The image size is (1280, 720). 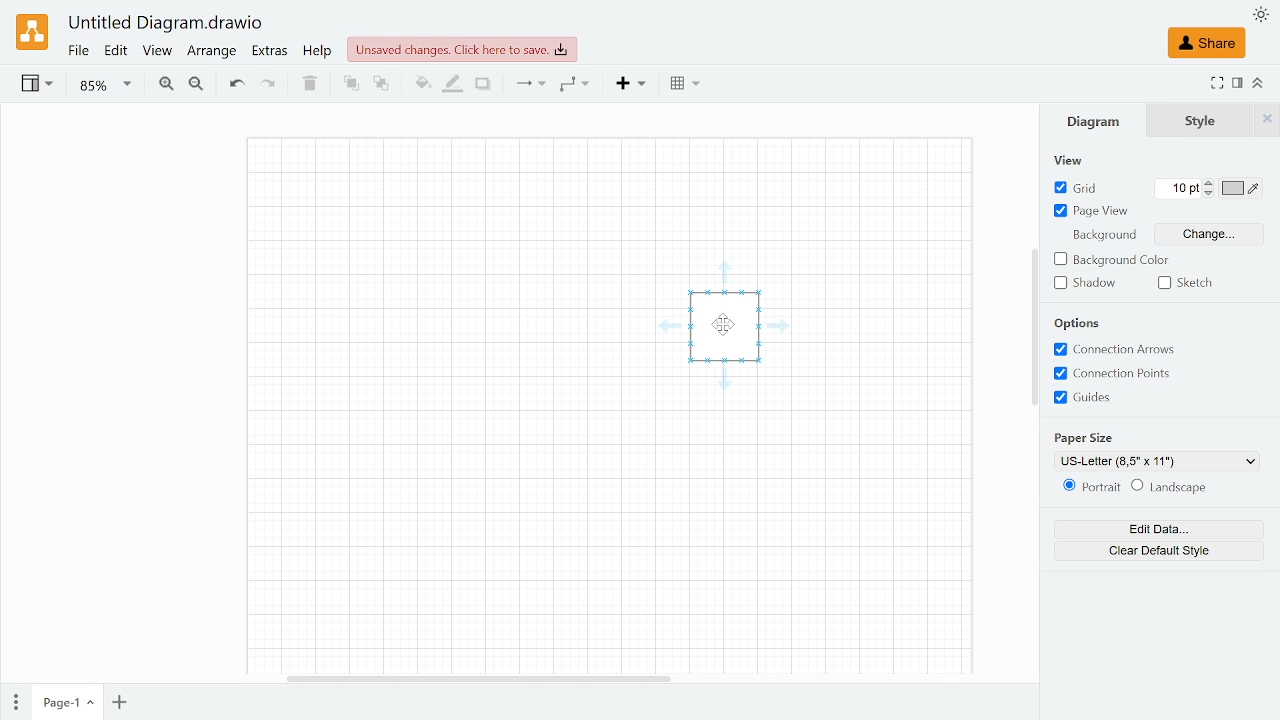 I want to click on Delete, so click(x=309, y=83).